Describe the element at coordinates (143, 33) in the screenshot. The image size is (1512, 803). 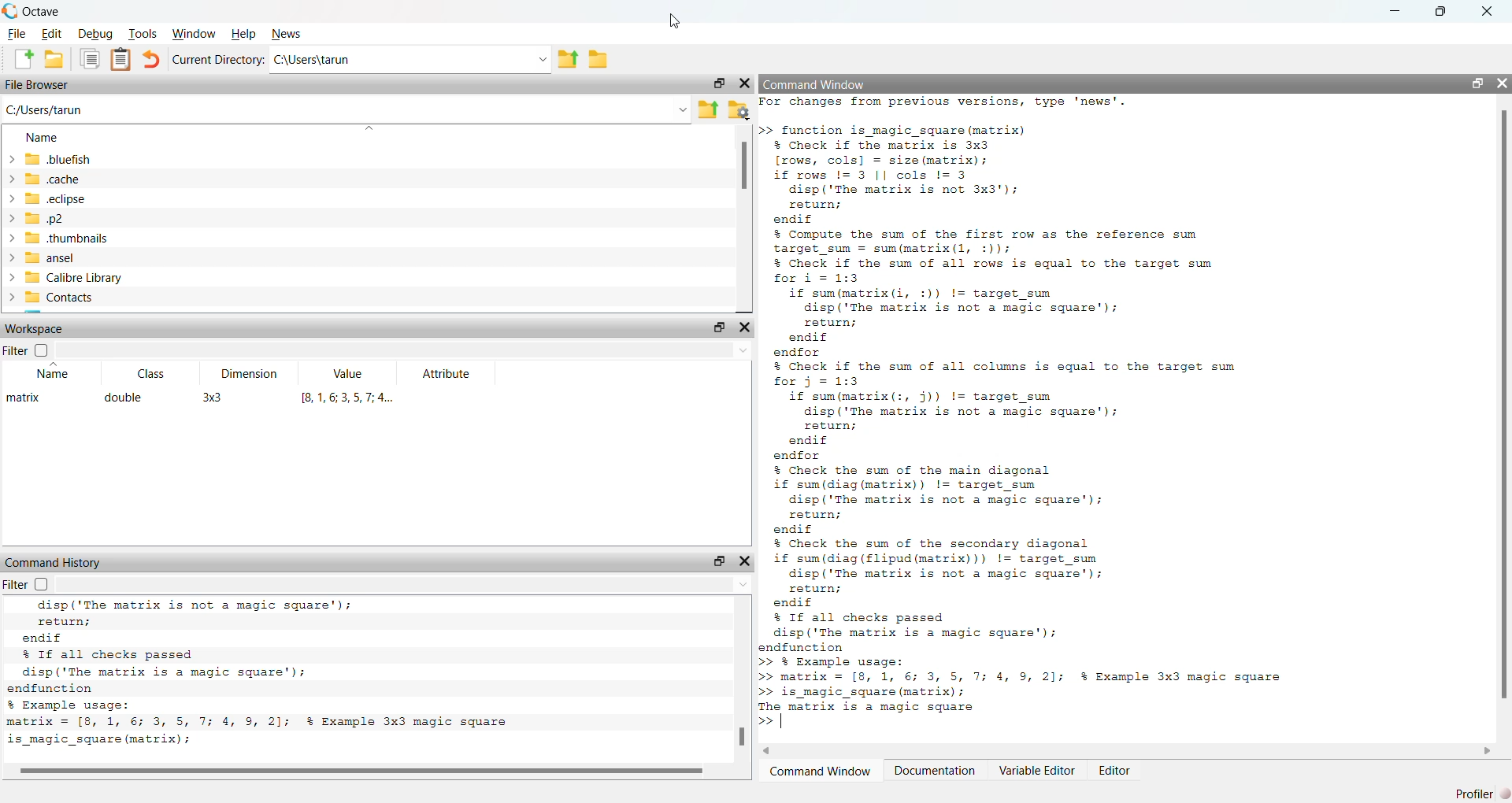
I see `Tools` at that location.